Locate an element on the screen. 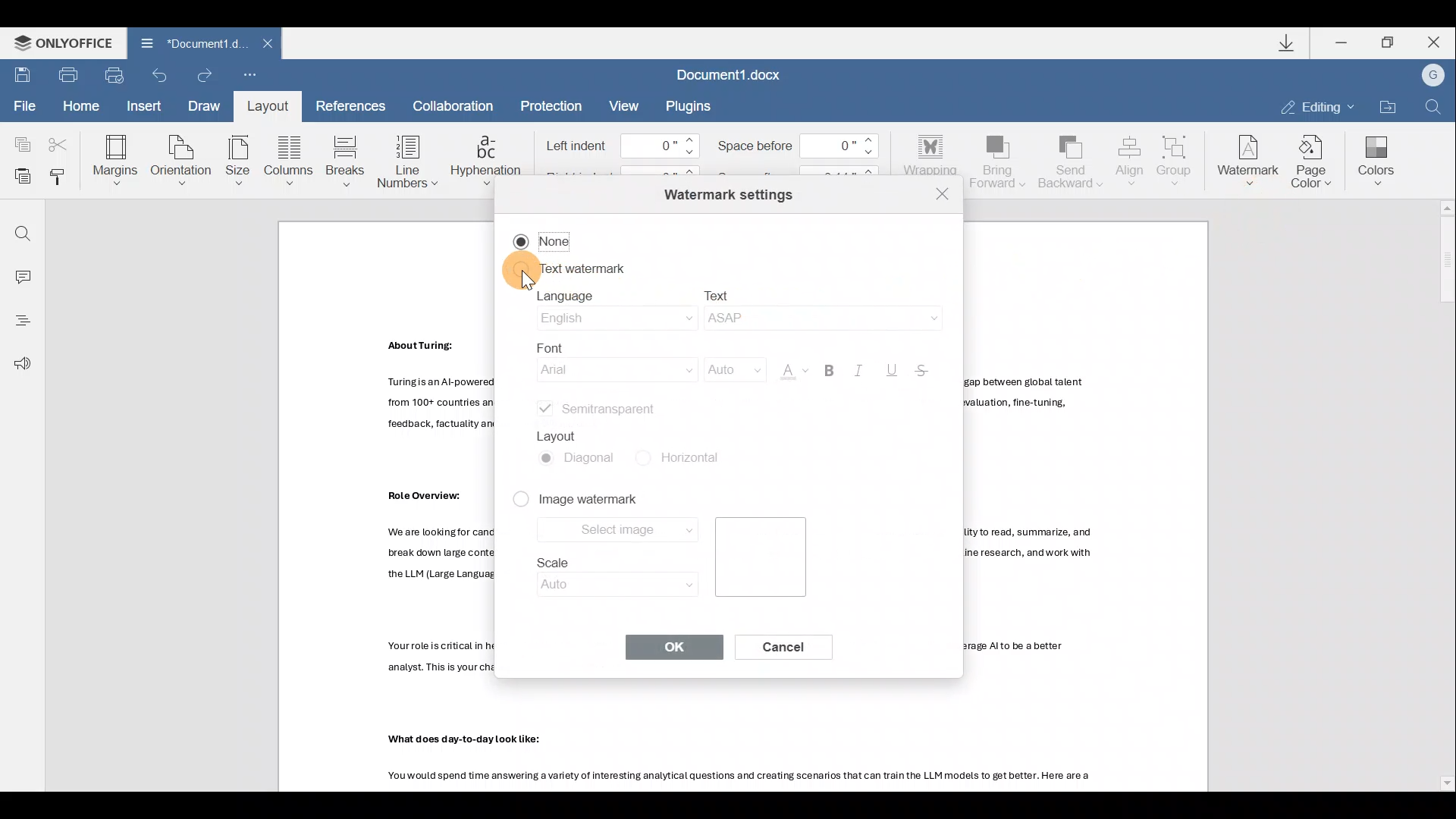 This screenshot has height=819, width=1456. Orientation is located at coordinates (183, 158).